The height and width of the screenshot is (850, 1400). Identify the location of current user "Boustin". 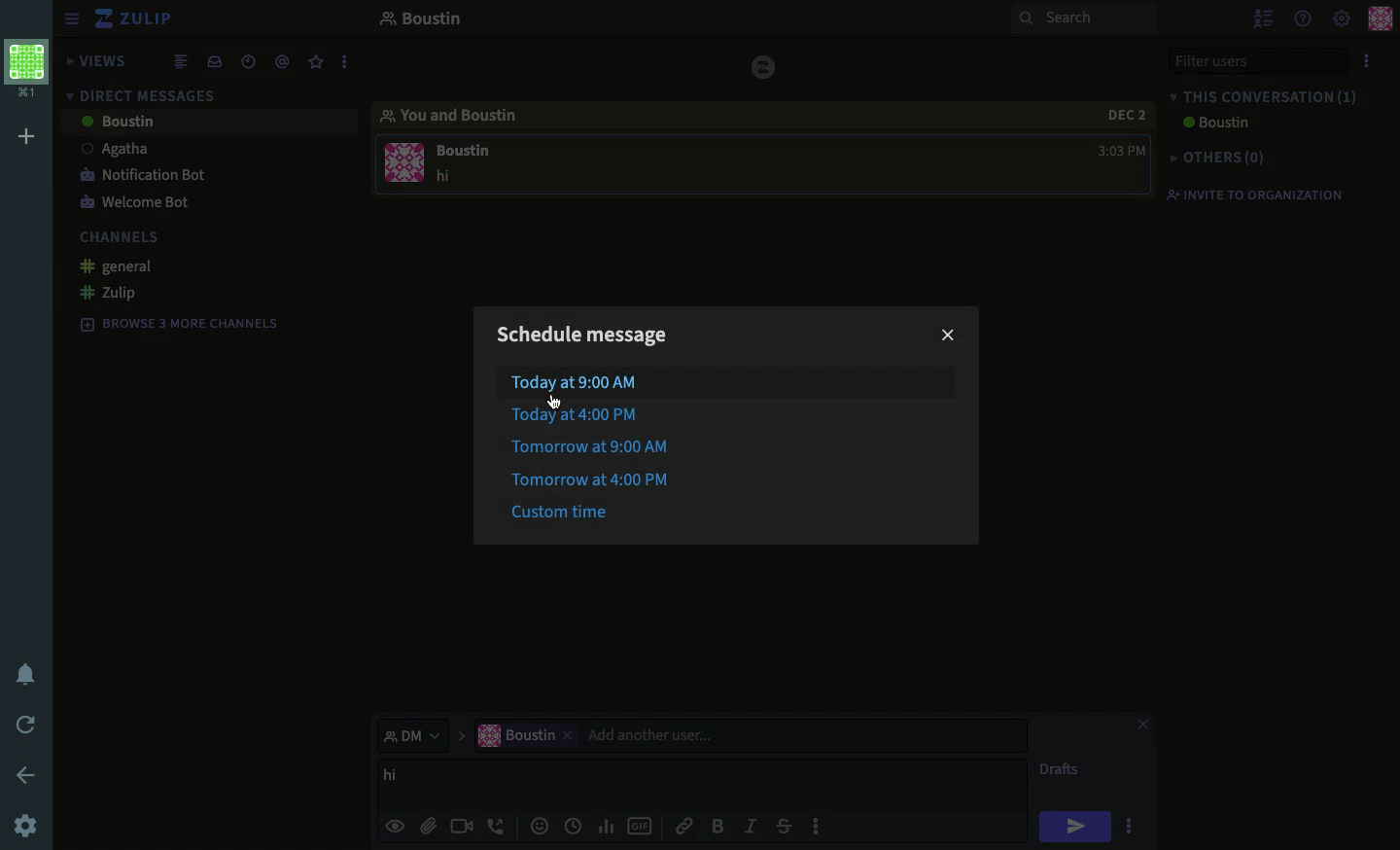
(517, 736).